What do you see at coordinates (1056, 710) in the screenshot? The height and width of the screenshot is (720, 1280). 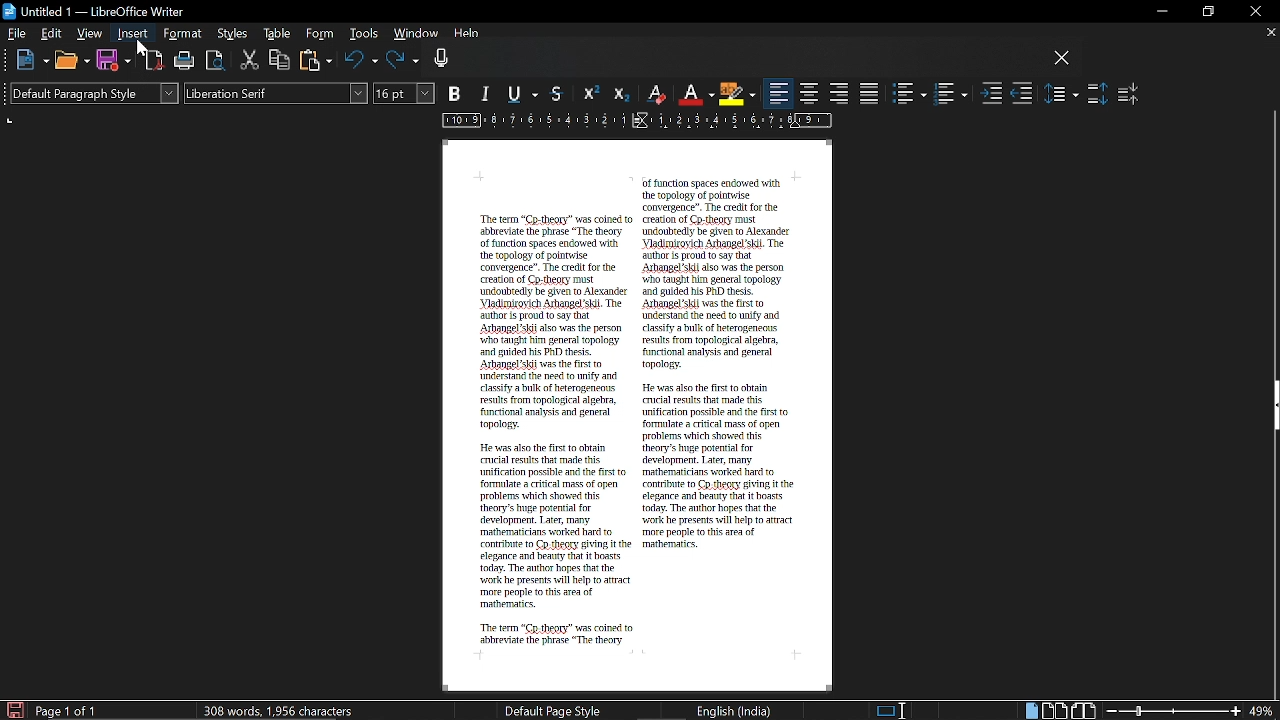 I see `Double page view` at bounding box center [1056, 710].